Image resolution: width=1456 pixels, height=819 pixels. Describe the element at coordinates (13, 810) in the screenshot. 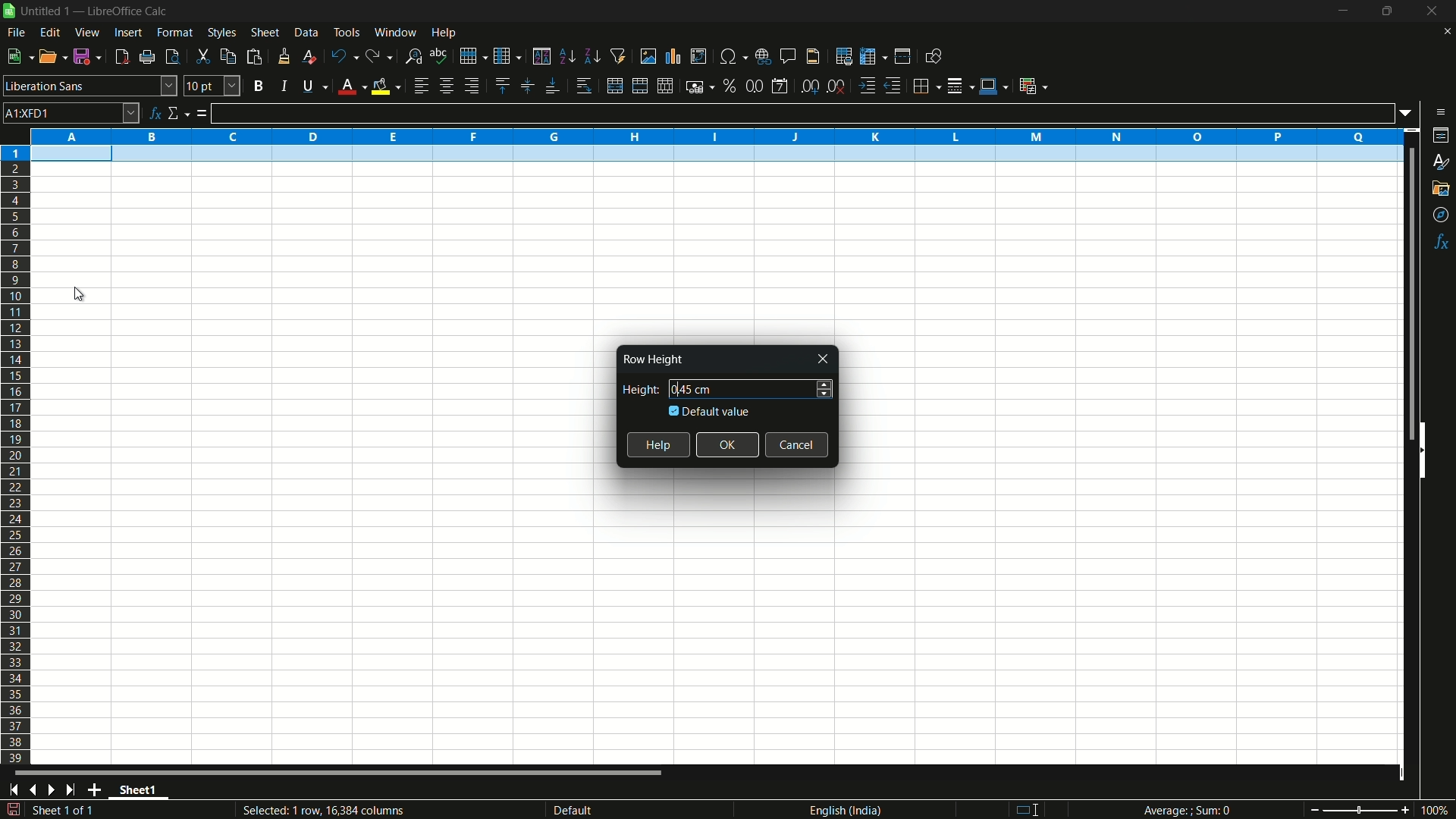

I see `save` at that location.